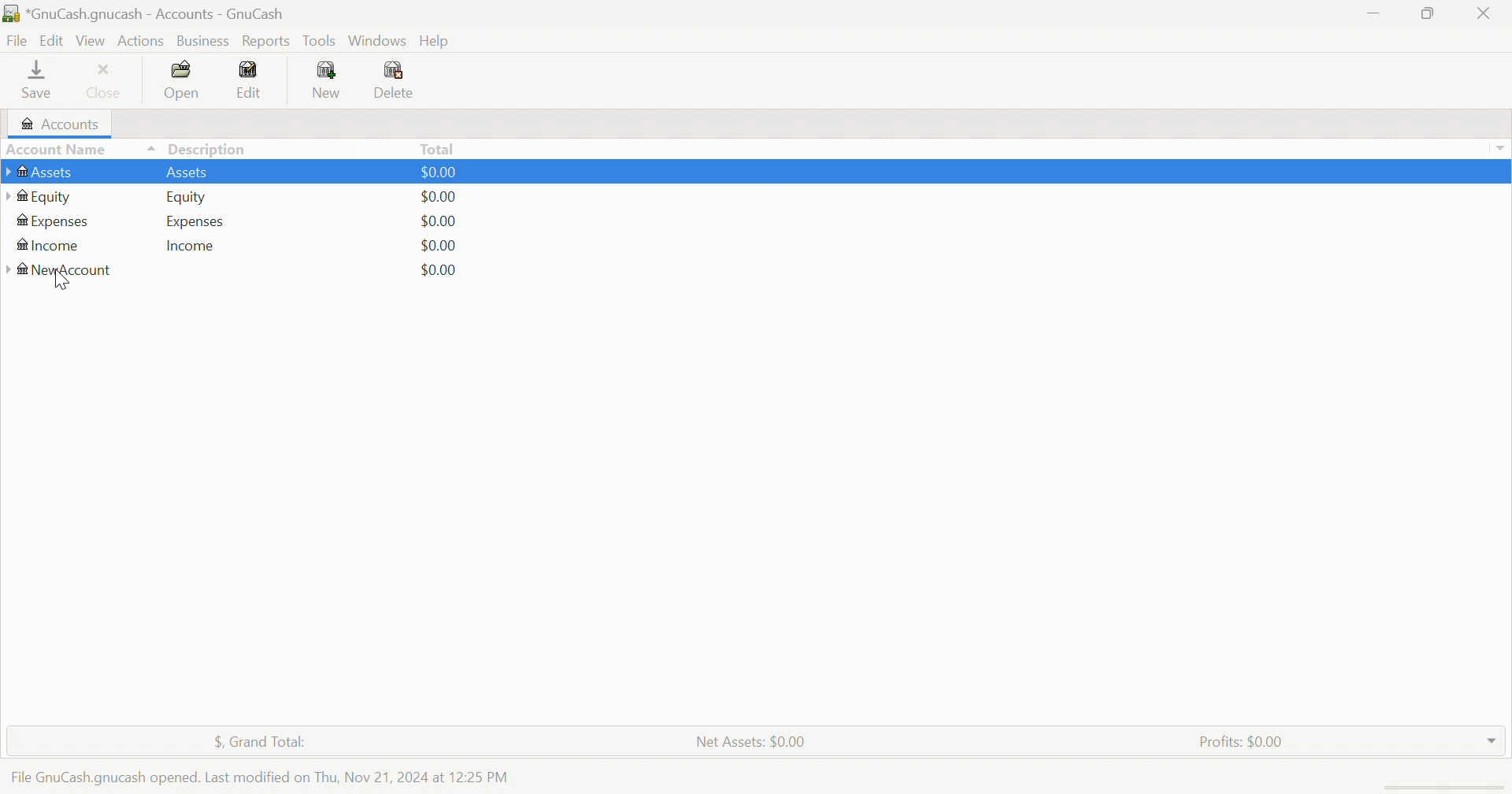  I want to click on Net Assets: $0.00, so click(750, 742).